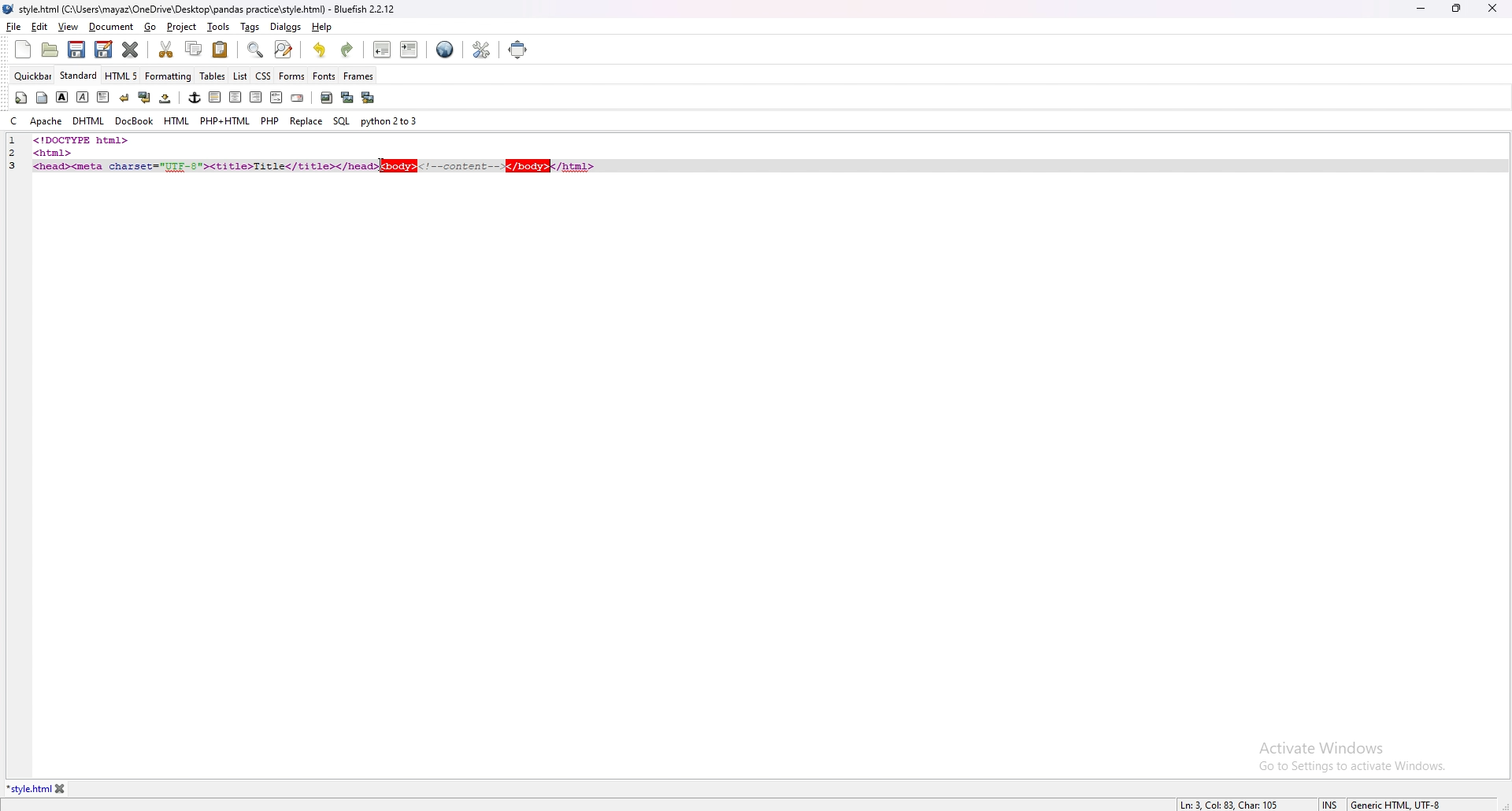 The image size is (1512, 811). Describe the element at coordinates (286, 27) in the screenshot. I see `dialogs` at that location.